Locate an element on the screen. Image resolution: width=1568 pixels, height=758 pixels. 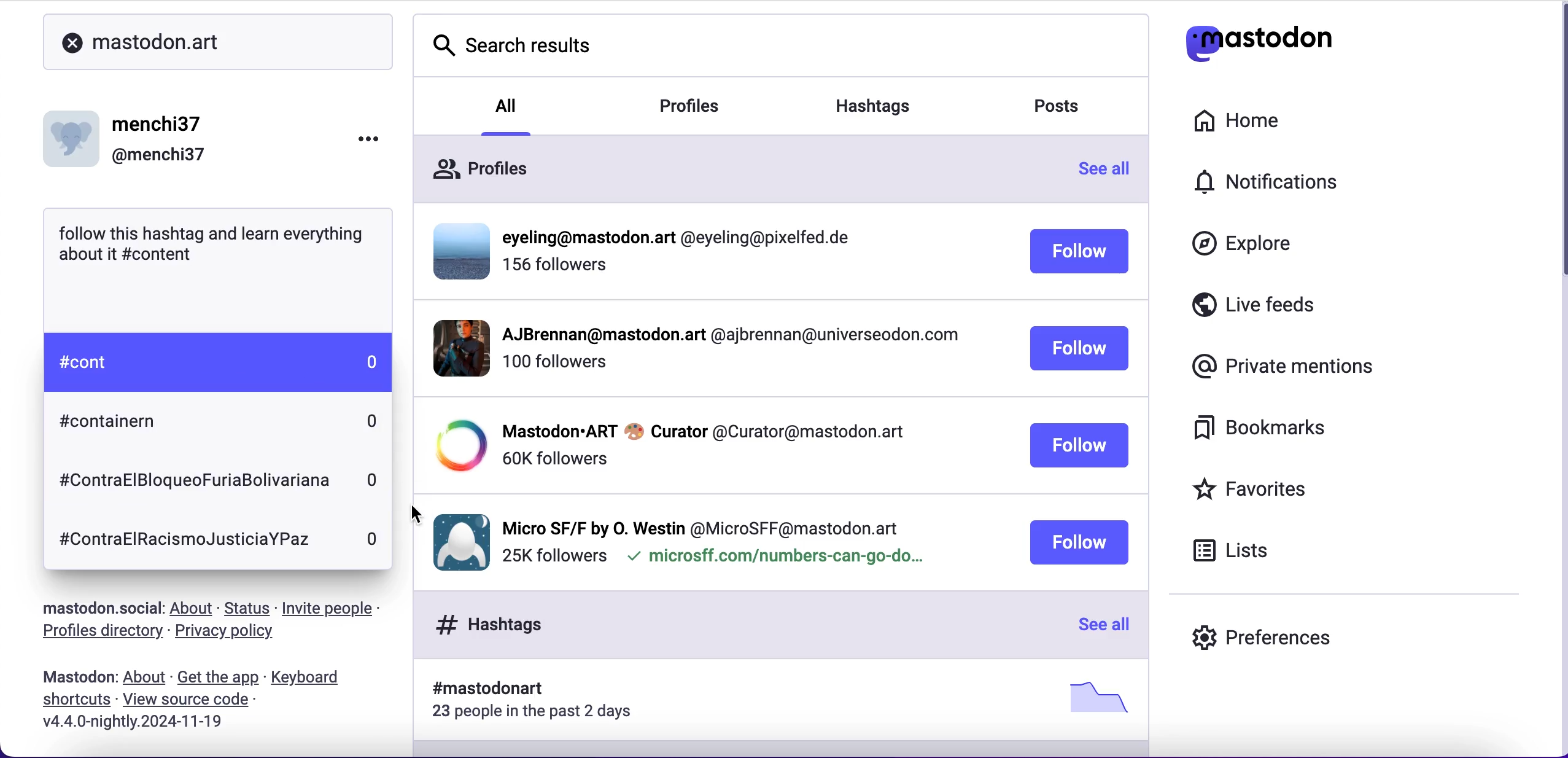
23 people in the past 2 days is located at coordinates (540, 714).